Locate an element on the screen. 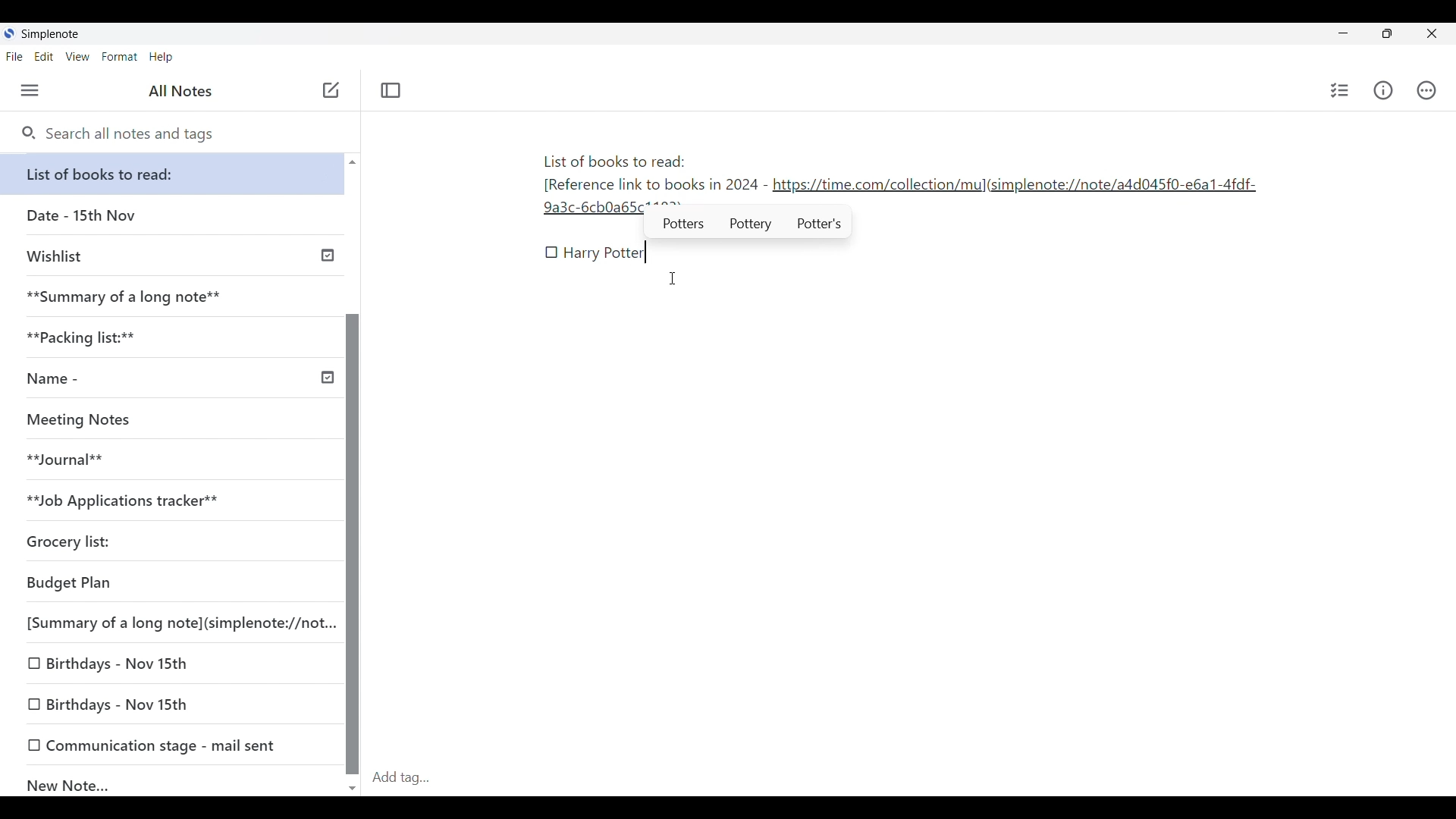 The height and width of the screenshot is (819, 1456). Vertical scroll bar is located at coordinates (352, 473).